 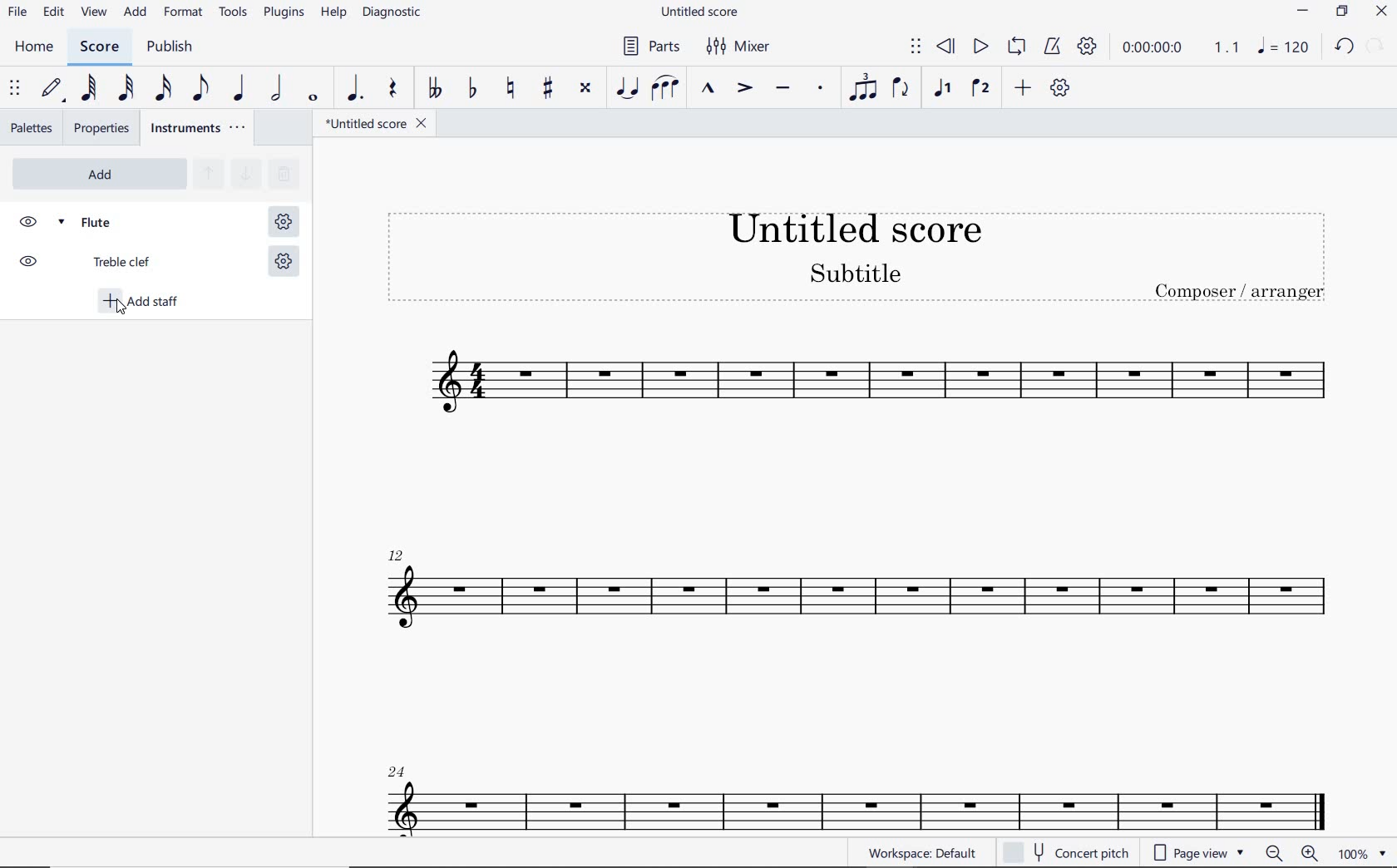 What do you see at coordinates (90, 88) in the screenshot?
I see `64TH NOTE` at bounding box center [90, 88].